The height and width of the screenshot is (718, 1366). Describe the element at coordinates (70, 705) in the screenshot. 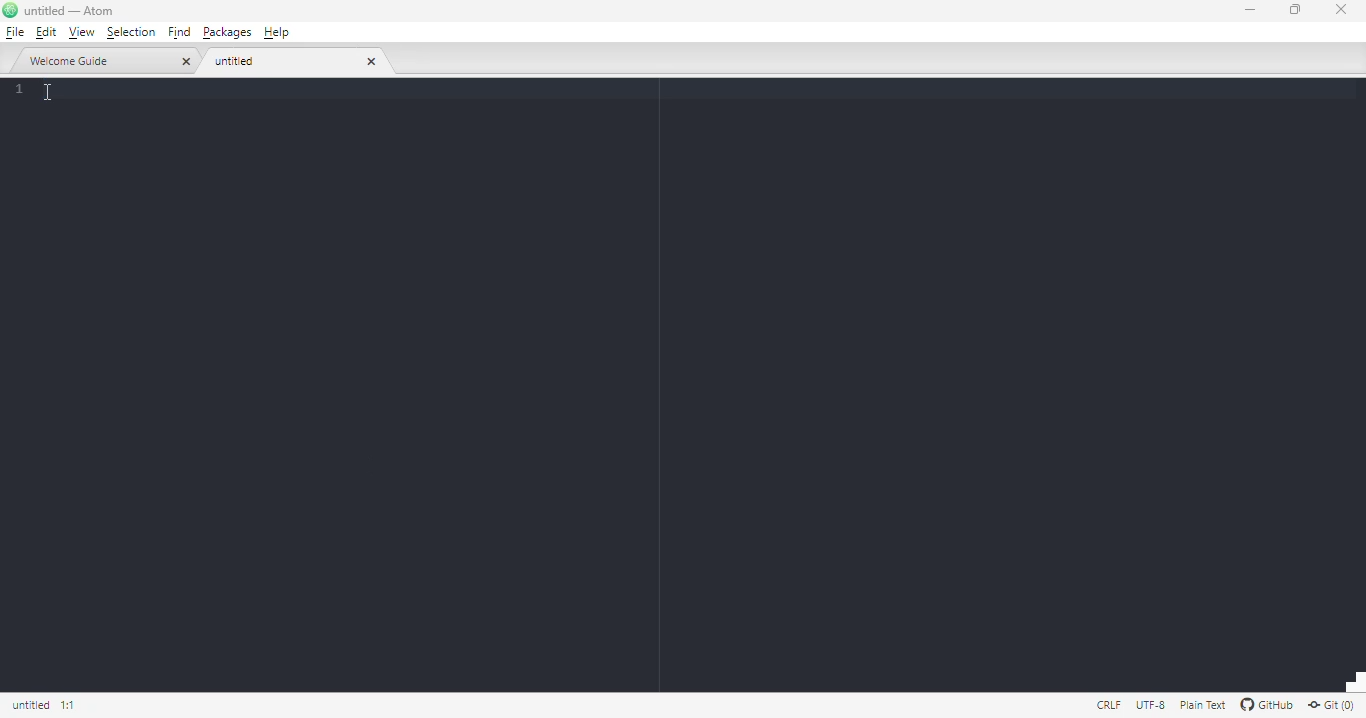

I see `line 1, column 1` at that location.